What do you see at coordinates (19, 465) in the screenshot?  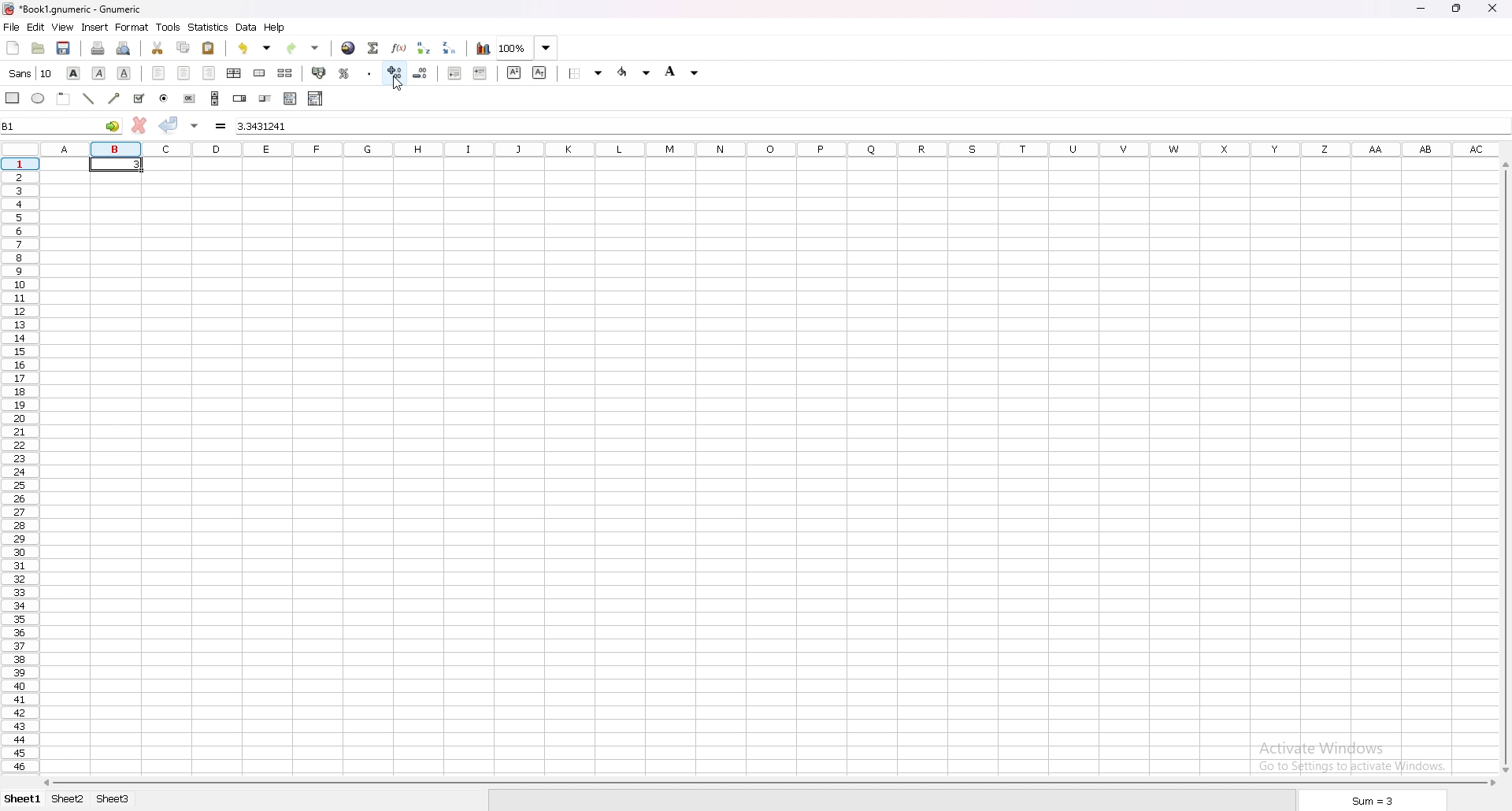 I see `rows` at bounding box center [19, 465].